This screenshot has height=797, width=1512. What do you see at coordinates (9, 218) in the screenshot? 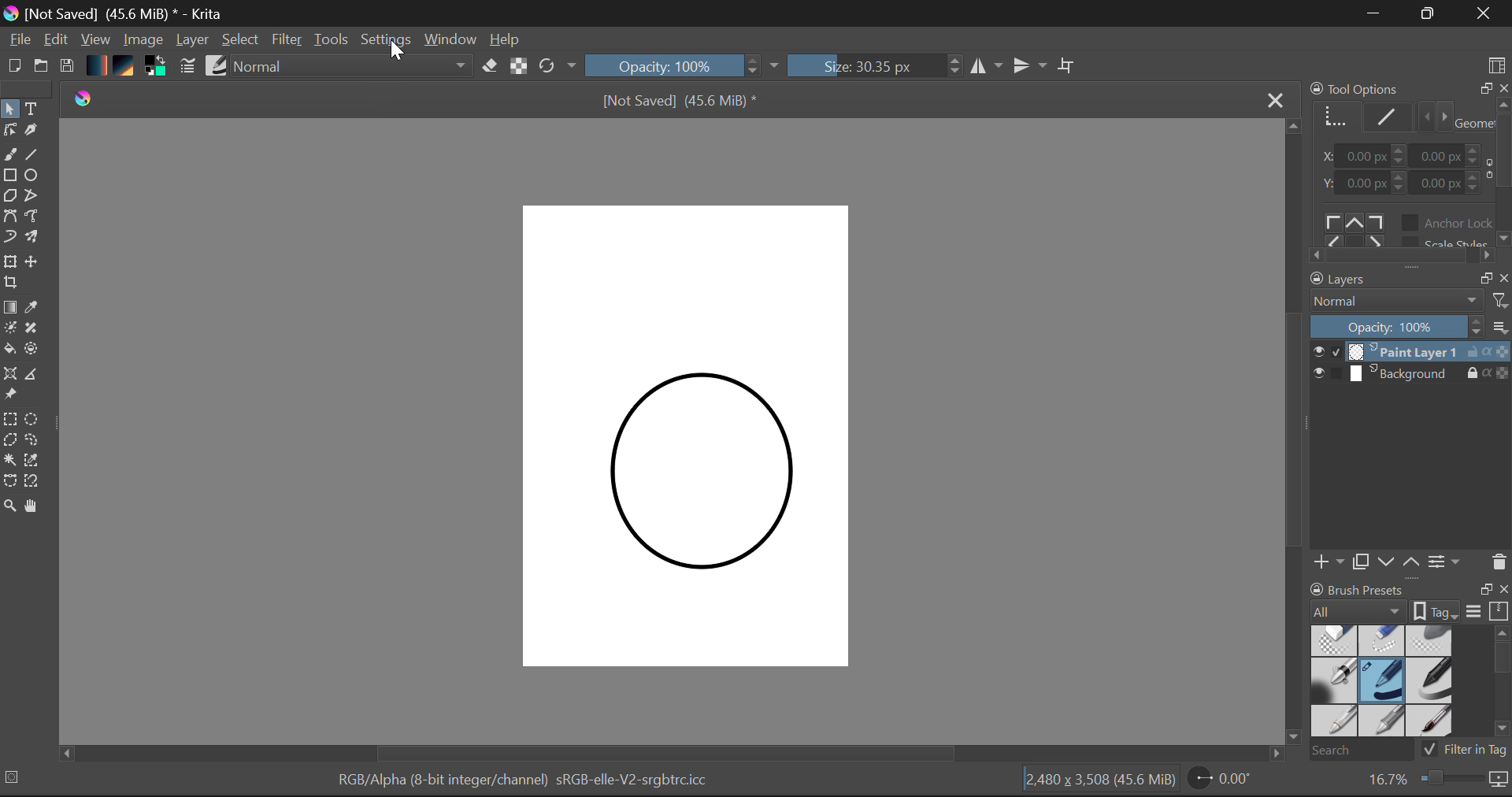
I see `Bezier Curve` at bounding box center [9, 218].